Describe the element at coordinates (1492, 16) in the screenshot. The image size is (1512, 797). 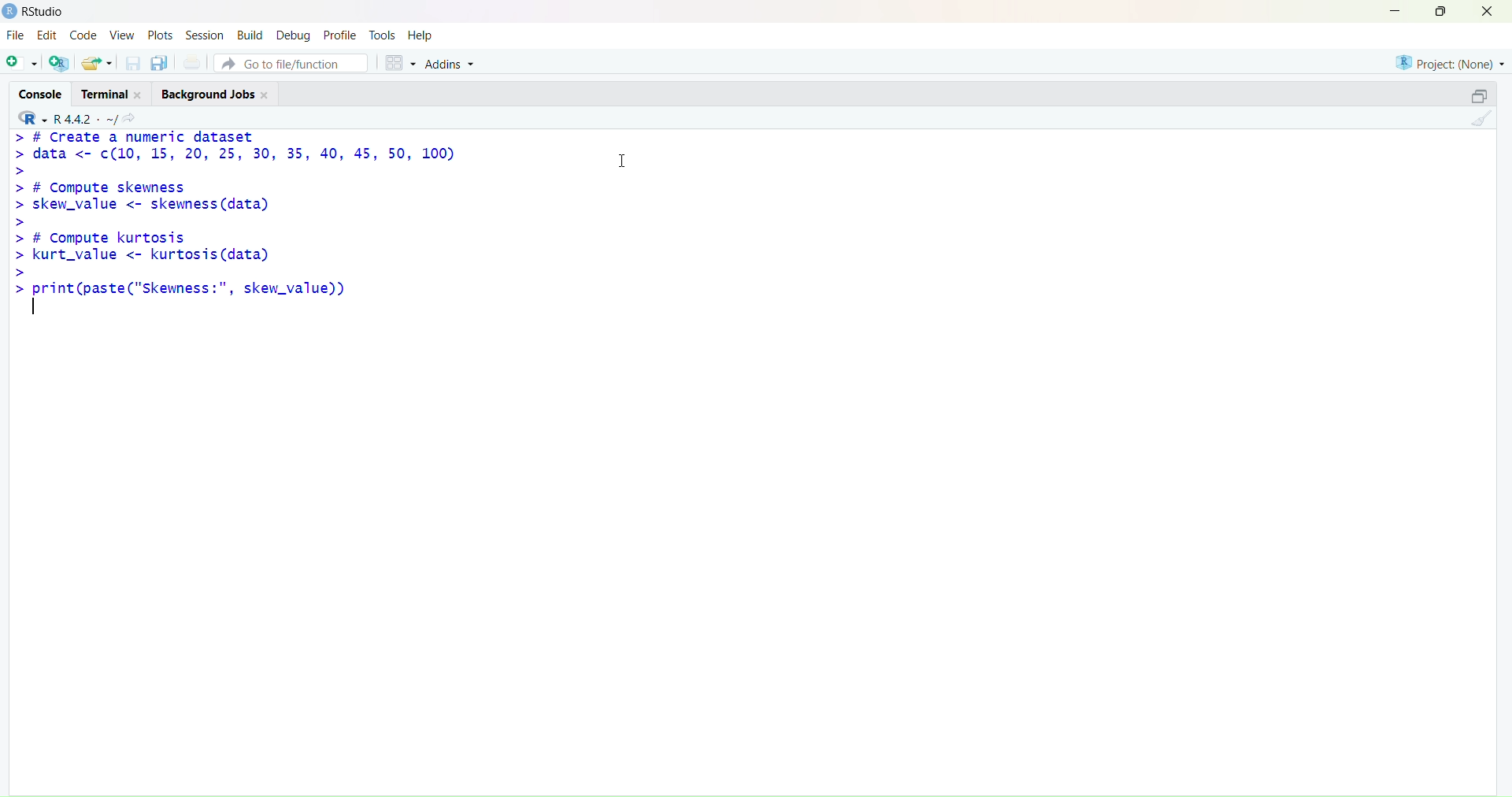
I see `Close` at that location.